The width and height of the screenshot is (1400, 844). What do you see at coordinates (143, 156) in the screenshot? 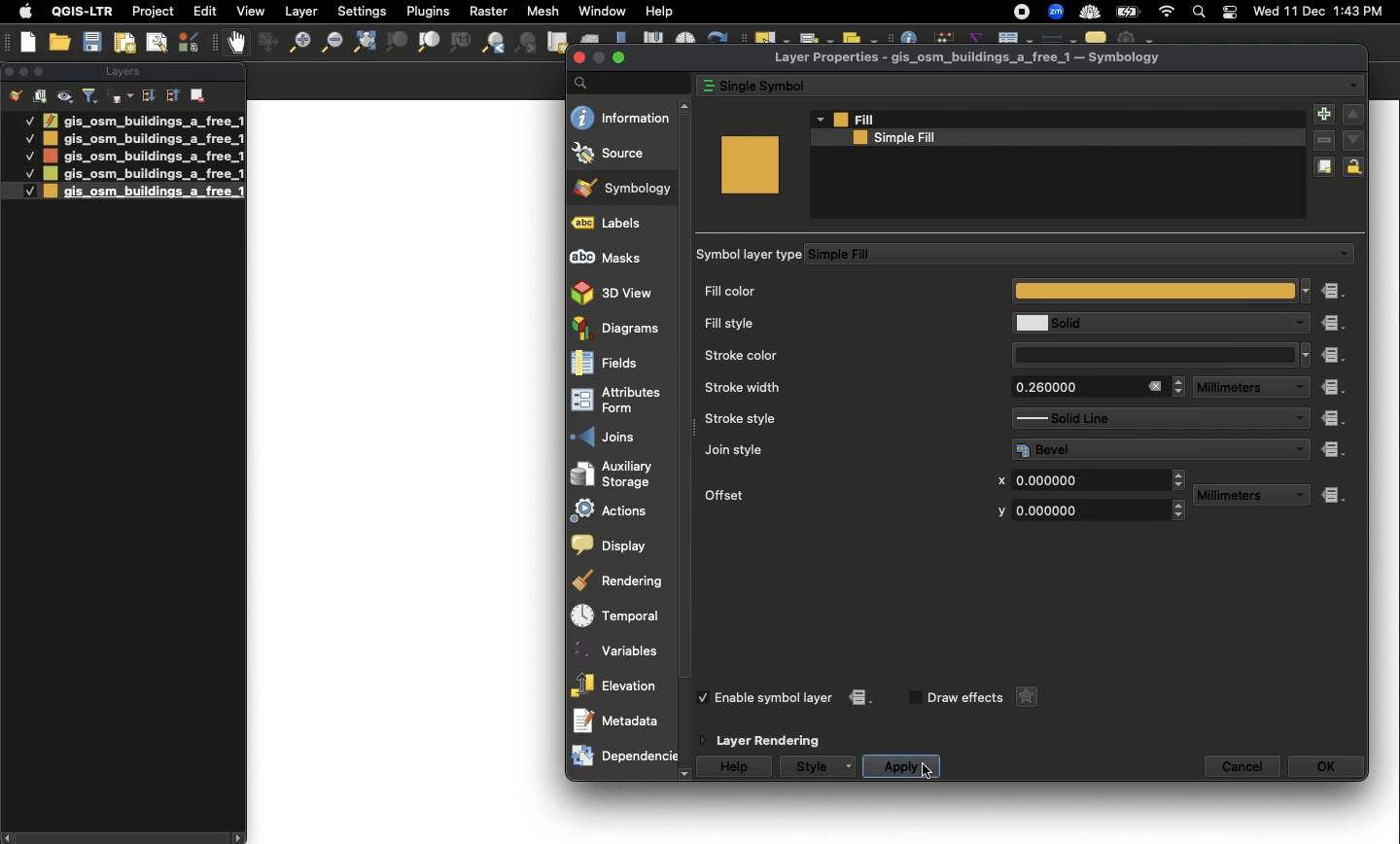
I see `gis_osm_buildings_a_free_1` at bounding box center [143, 156].